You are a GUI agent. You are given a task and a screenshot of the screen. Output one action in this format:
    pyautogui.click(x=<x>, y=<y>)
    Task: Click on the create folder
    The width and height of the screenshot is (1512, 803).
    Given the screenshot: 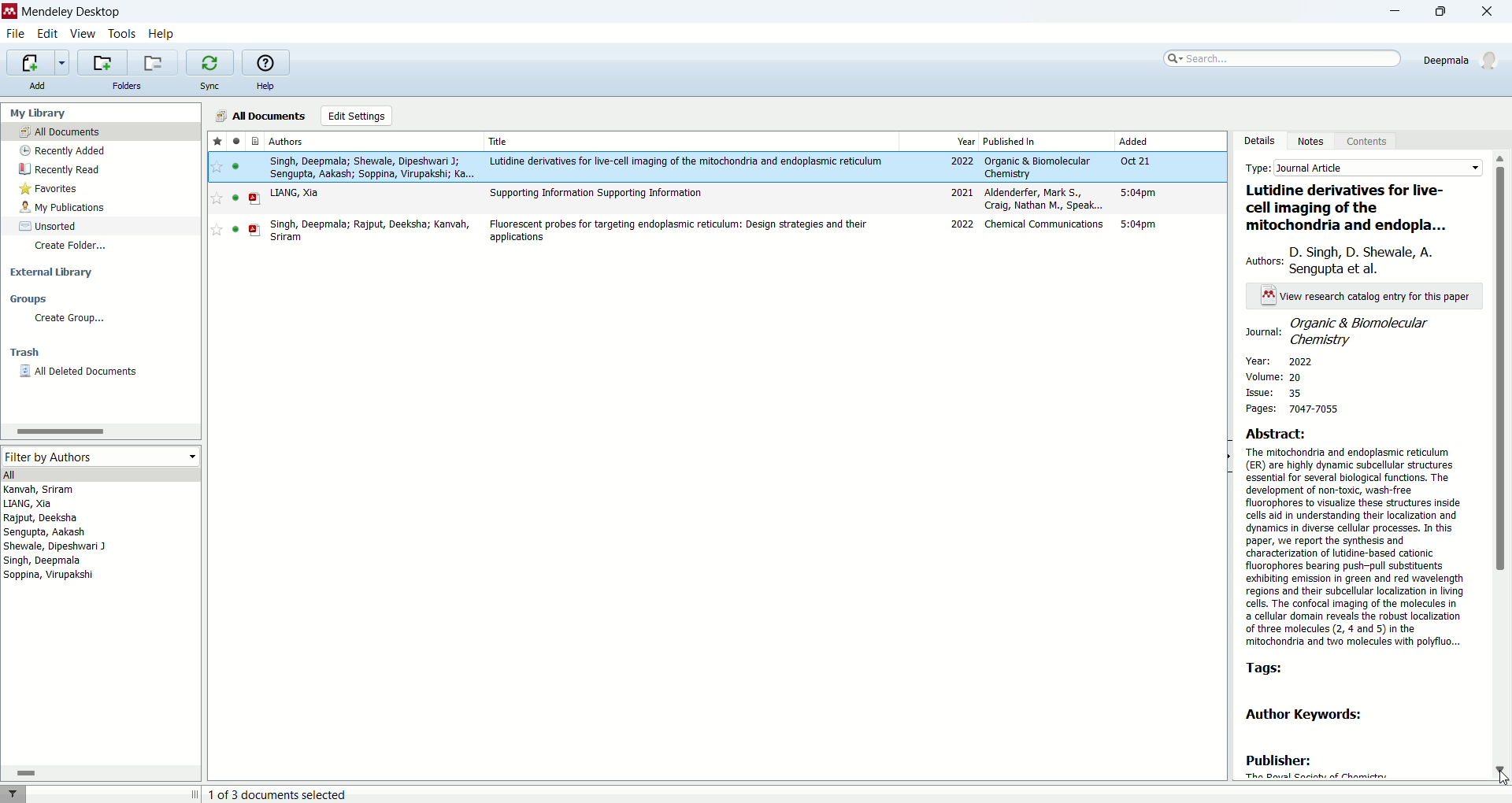 What is the action you would take?
    pyautogui.click(x=73, y=247)
    